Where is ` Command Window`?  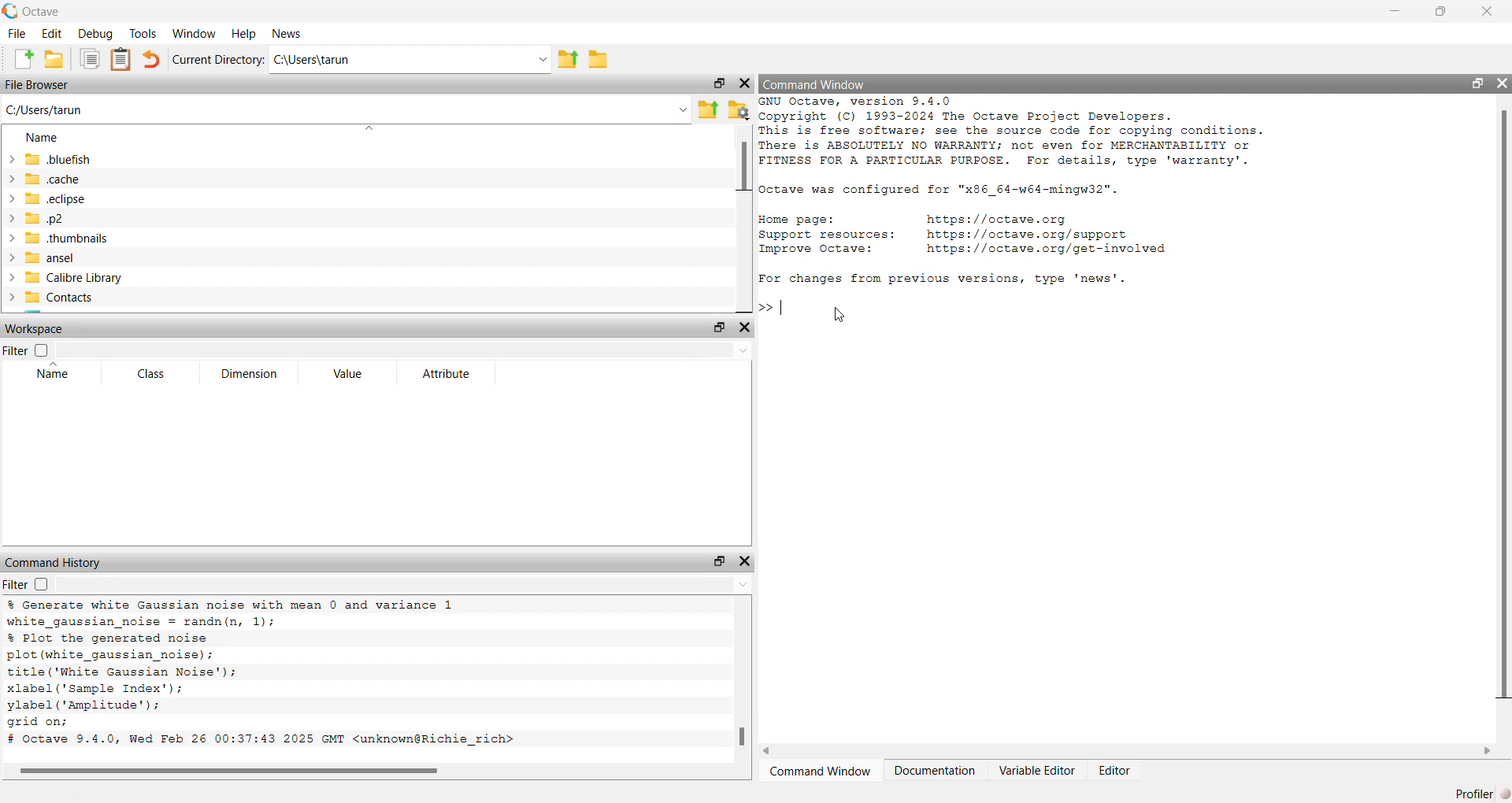
 Command Window is located at coordinates (824, 84).